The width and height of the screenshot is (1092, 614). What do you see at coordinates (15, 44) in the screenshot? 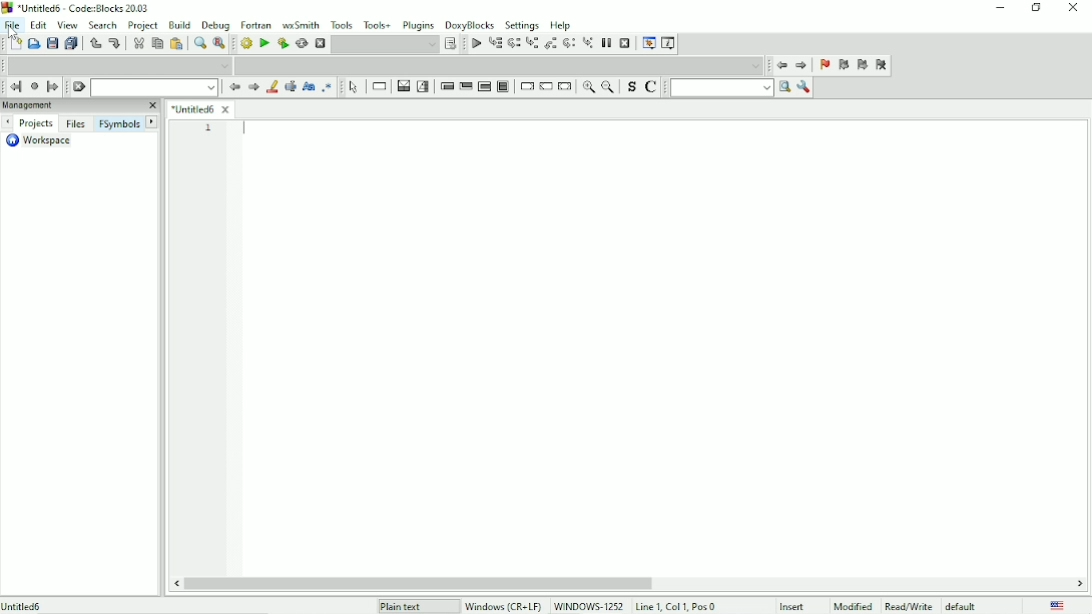
I see `New file` at bounding box center [15, 44].